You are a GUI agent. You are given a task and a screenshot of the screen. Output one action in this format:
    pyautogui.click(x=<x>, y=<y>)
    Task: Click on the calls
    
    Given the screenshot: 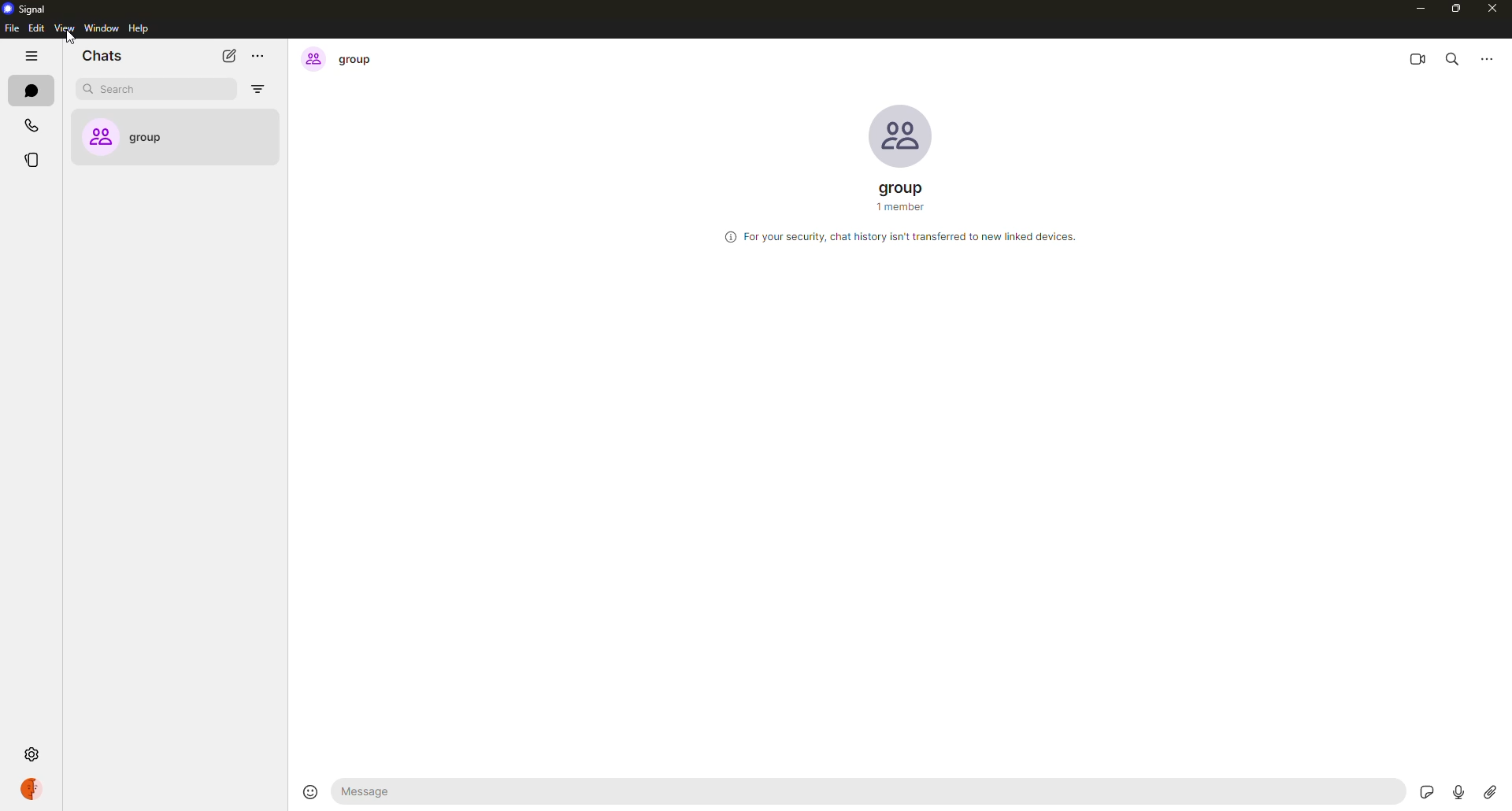 What is the action you would take?
    pyautogui.click(x=29, y=124)
    